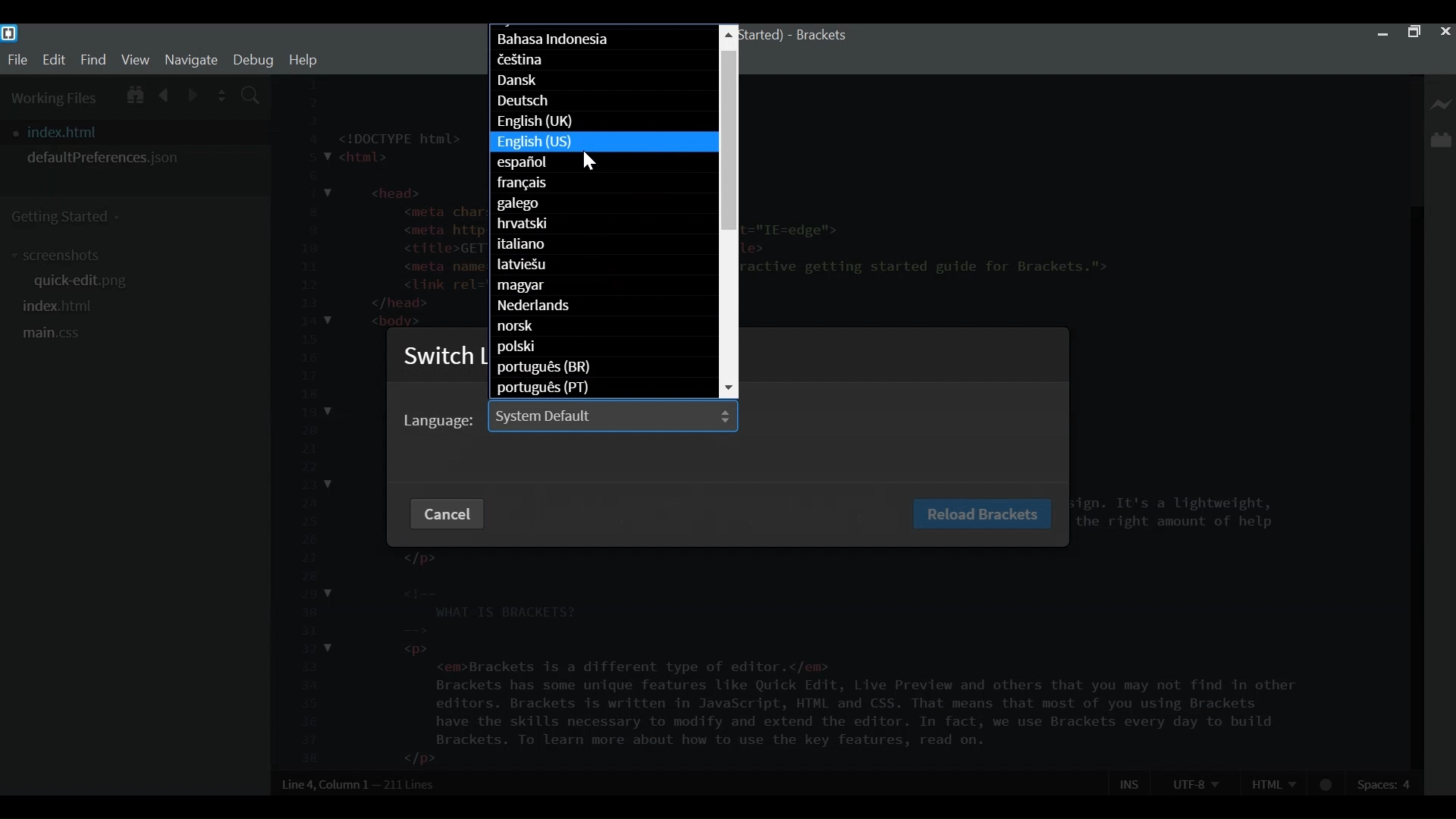 This screenshot has height=819, width=1456. I want to click on Navigate Forward, so click(193, 93).